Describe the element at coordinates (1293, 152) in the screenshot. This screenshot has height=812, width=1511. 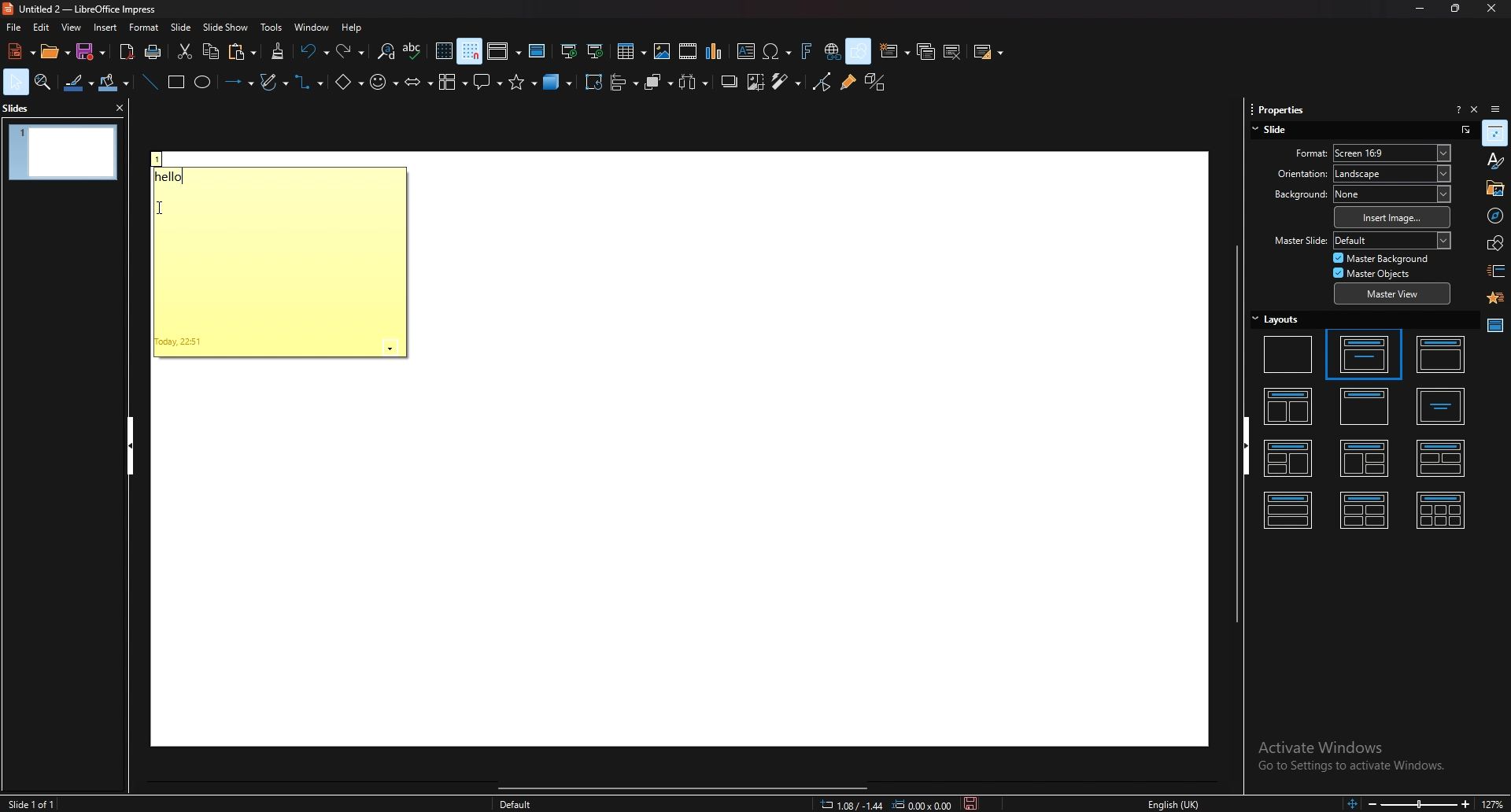
I see `format` at that location.